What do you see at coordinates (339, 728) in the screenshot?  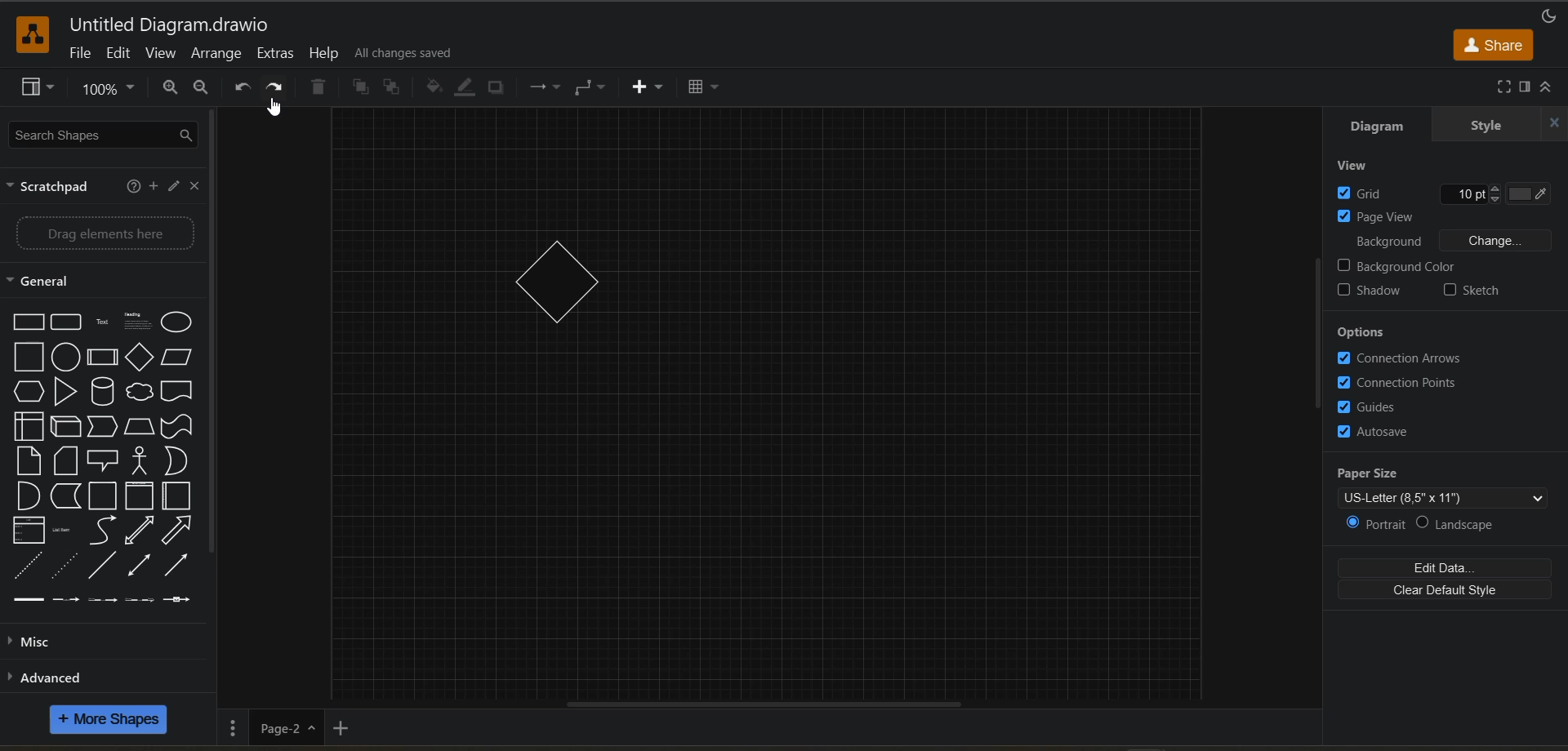 I see `insert page` at bounding box center [339, 728].